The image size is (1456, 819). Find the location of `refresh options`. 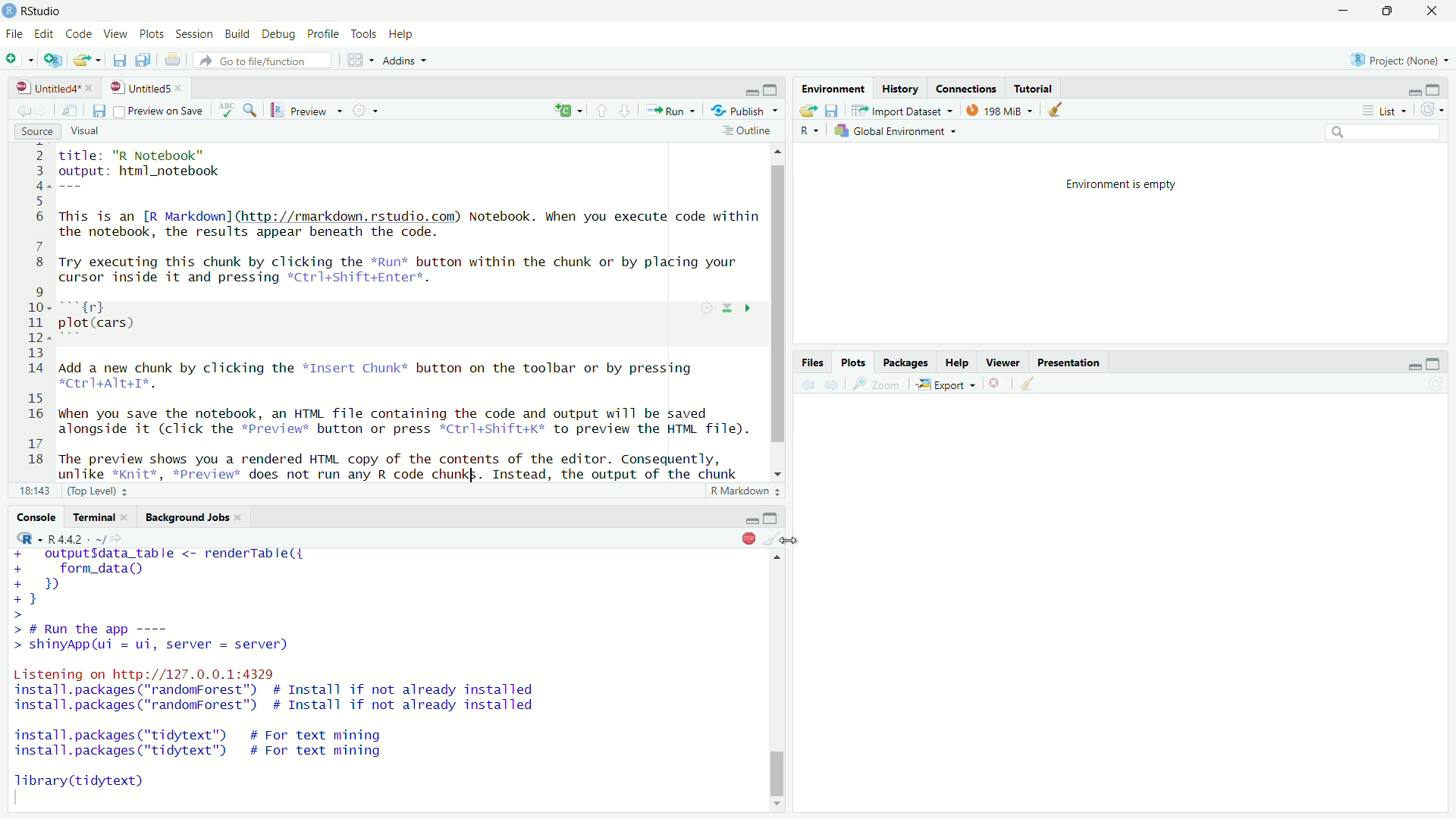

refresh options is located at coordinates (1433, 110).